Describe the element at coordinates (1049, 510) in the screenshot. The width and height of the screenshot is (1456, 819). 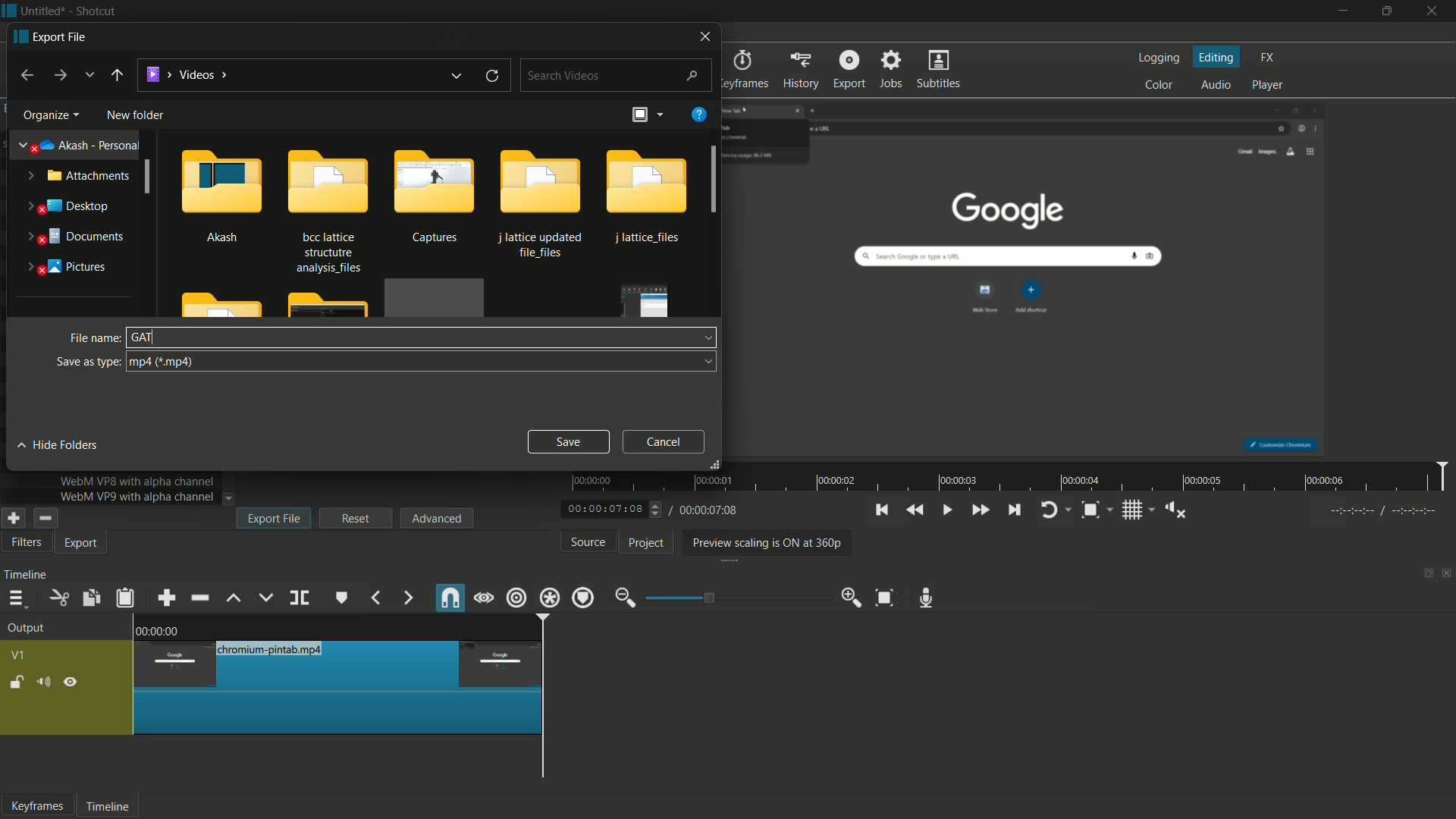
I see `toggle player looping` at that location.